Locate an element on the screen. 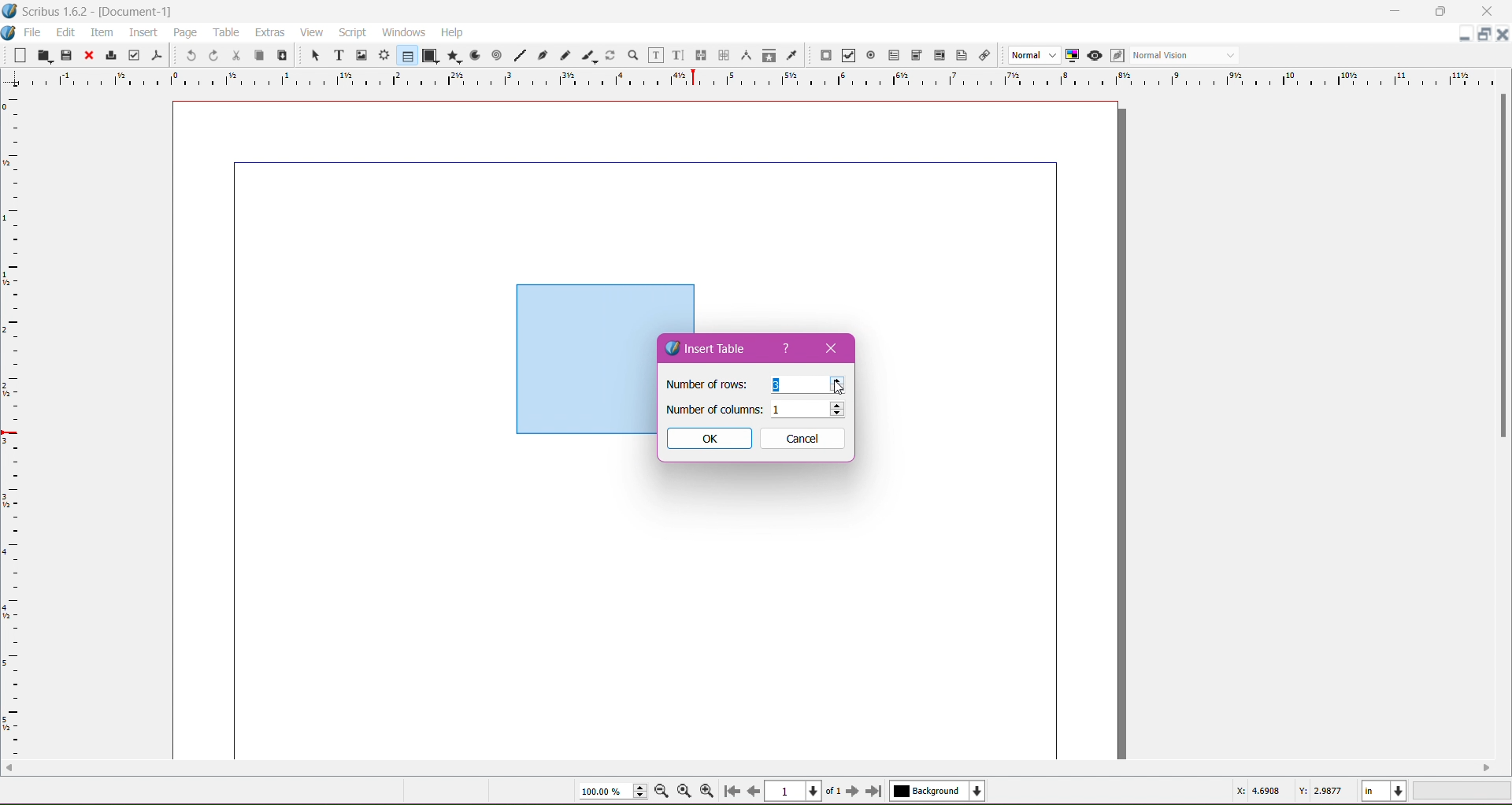  Minimize is located at coordinates (1399, 9).